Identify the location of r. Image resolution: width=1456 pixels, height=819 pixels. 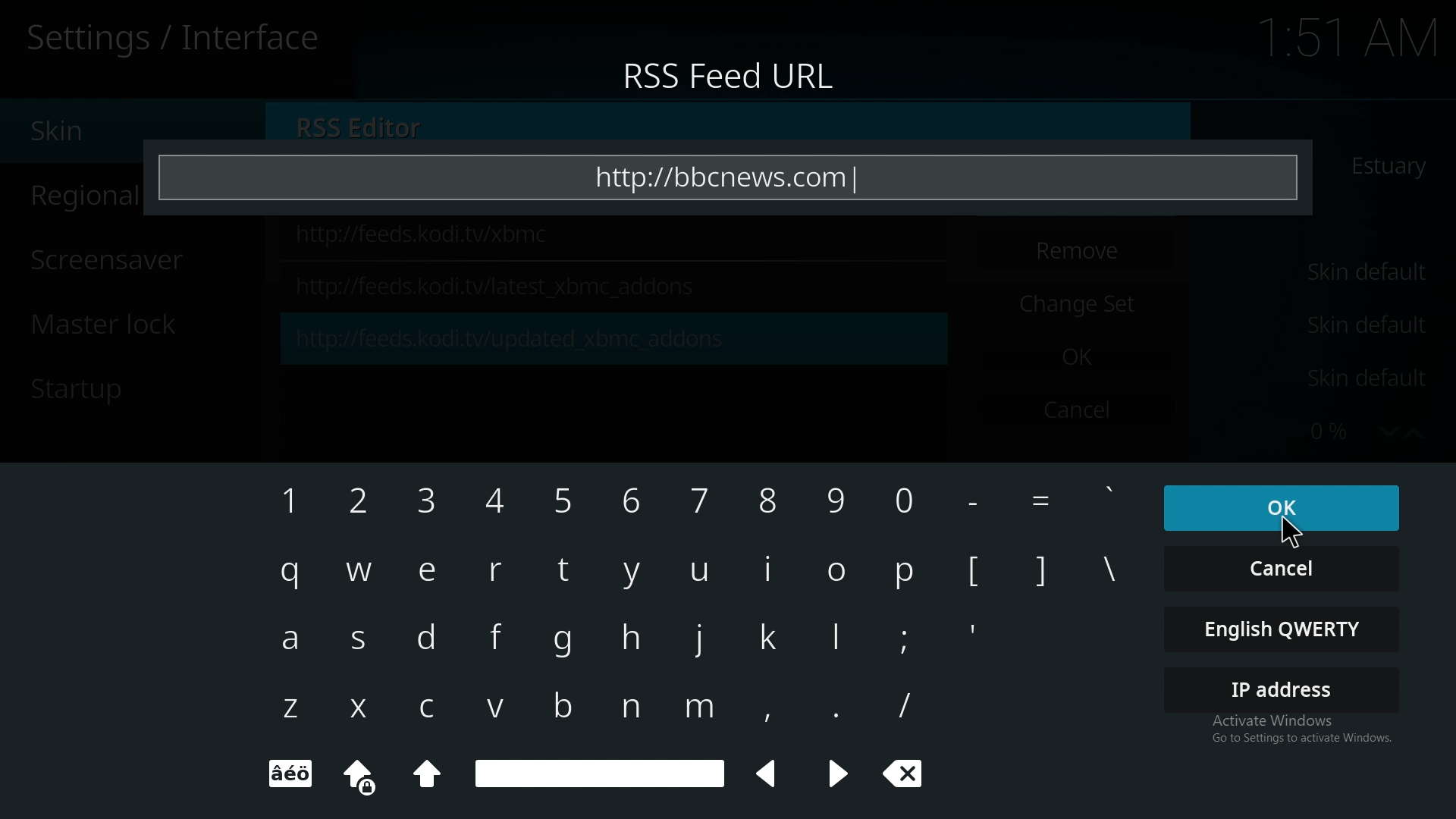
(495, 575).